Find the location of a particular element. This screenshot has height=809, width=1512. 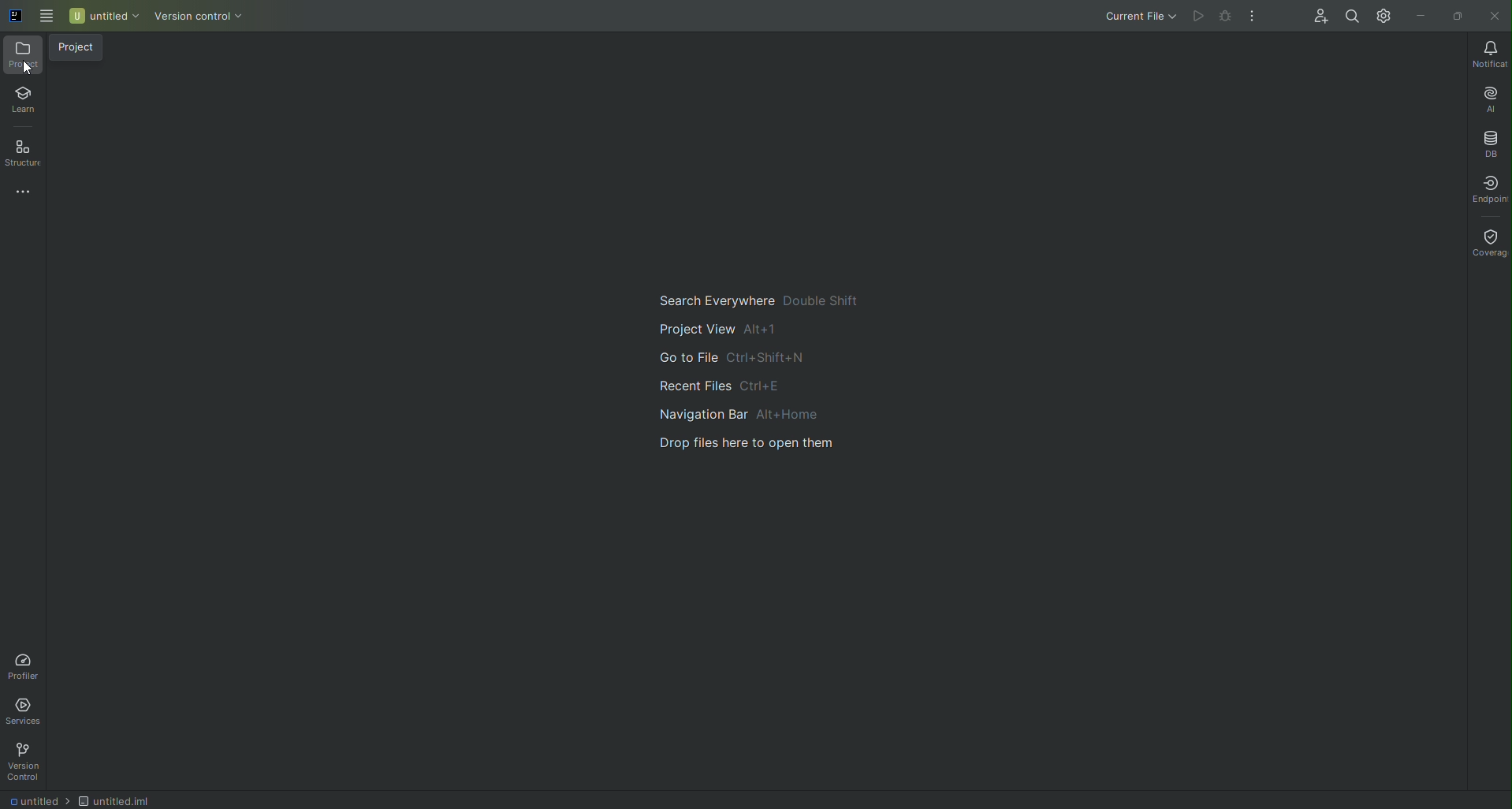

Structure is located at coordinates (21, 153).